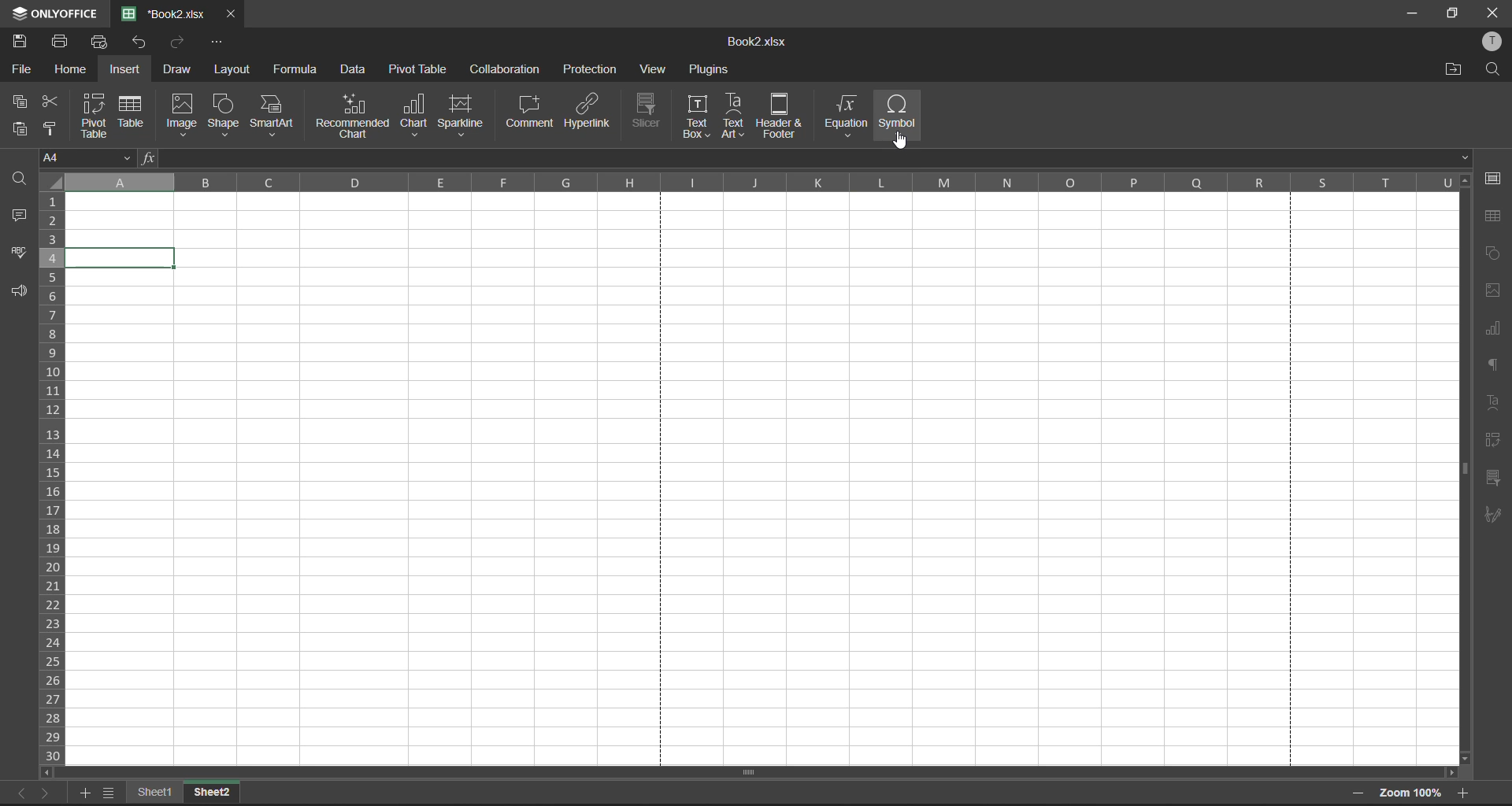 This screenshot has width=1512, height=806. I want to click on draw, so click(178, 72).